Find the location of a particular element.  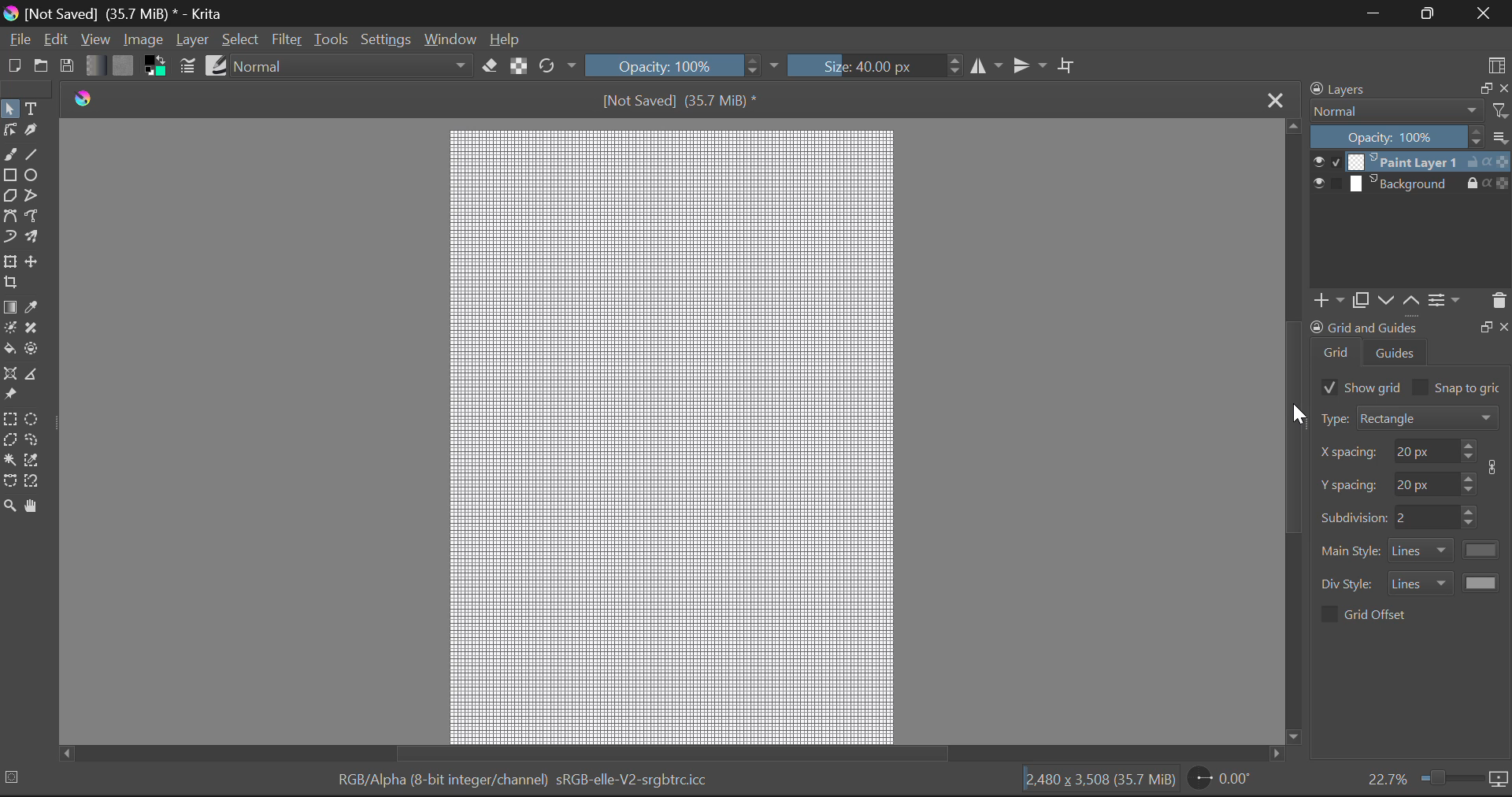

down is located at coordinates (1384, 300).